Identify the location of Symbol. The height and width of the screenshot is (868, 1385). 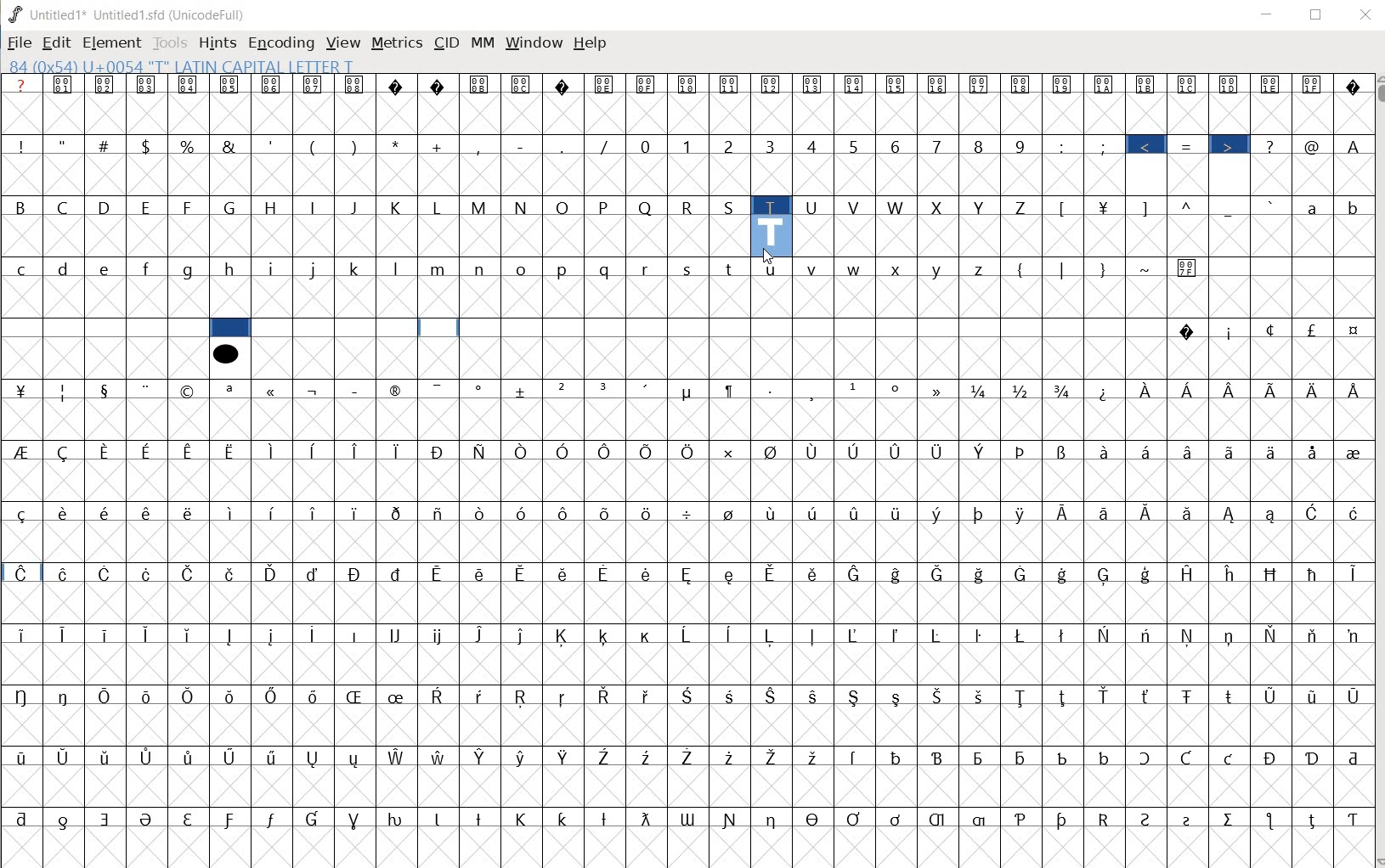
(398, 757).